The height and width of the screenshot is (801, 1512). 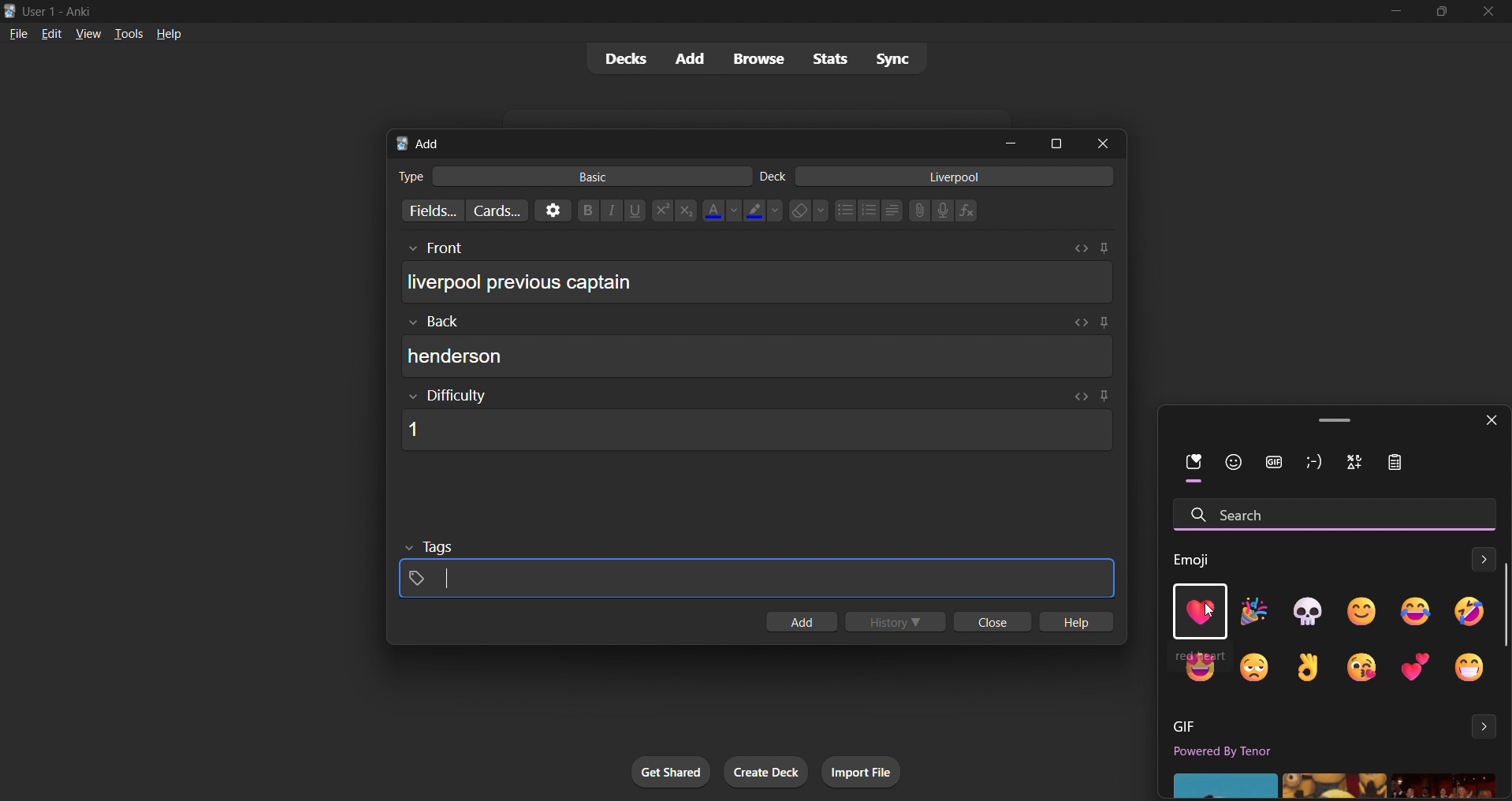 What do you see at coordinates (47, 32) in the screenshot?
I see `edit` at bounding box center [47, 32].